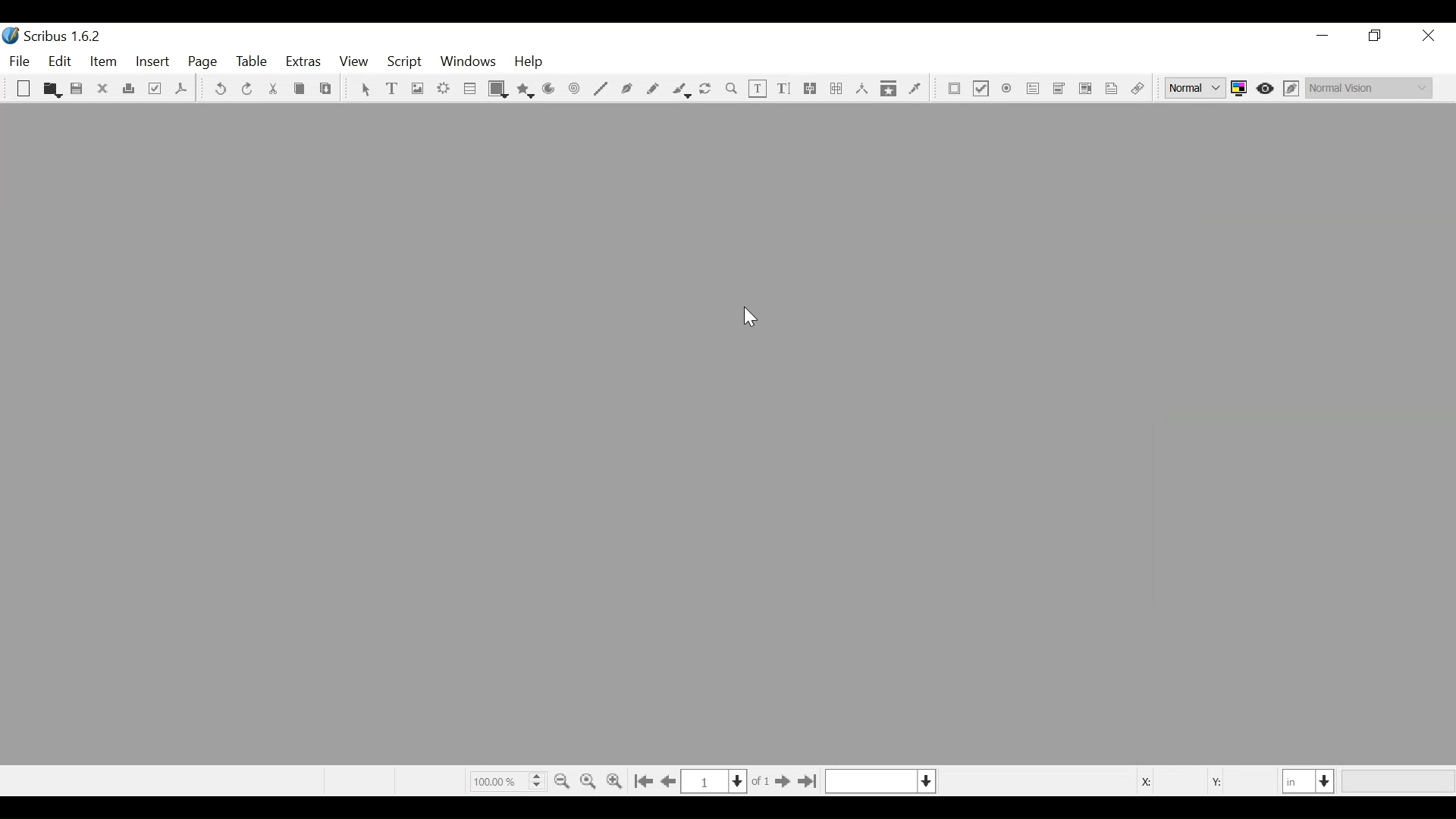 The image size is (1456, 819). I want to click on Edit in Preview mode, so click(1293, 88).